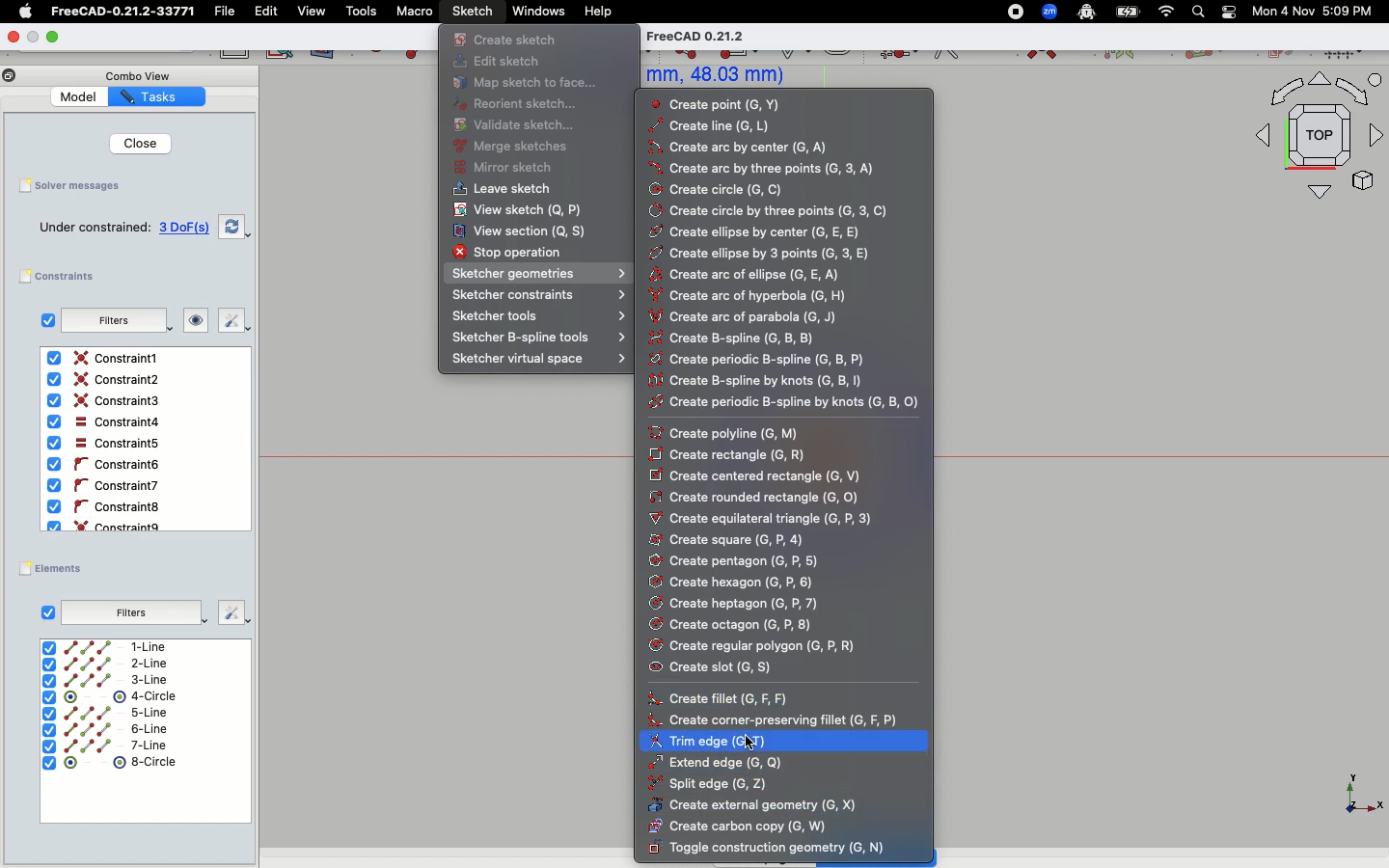 This screenshot has height=868, width=1389. What do you see at coordinates (1129, 11) in the screenshot?
I see `Battery` at bounding box center [1129, 11].